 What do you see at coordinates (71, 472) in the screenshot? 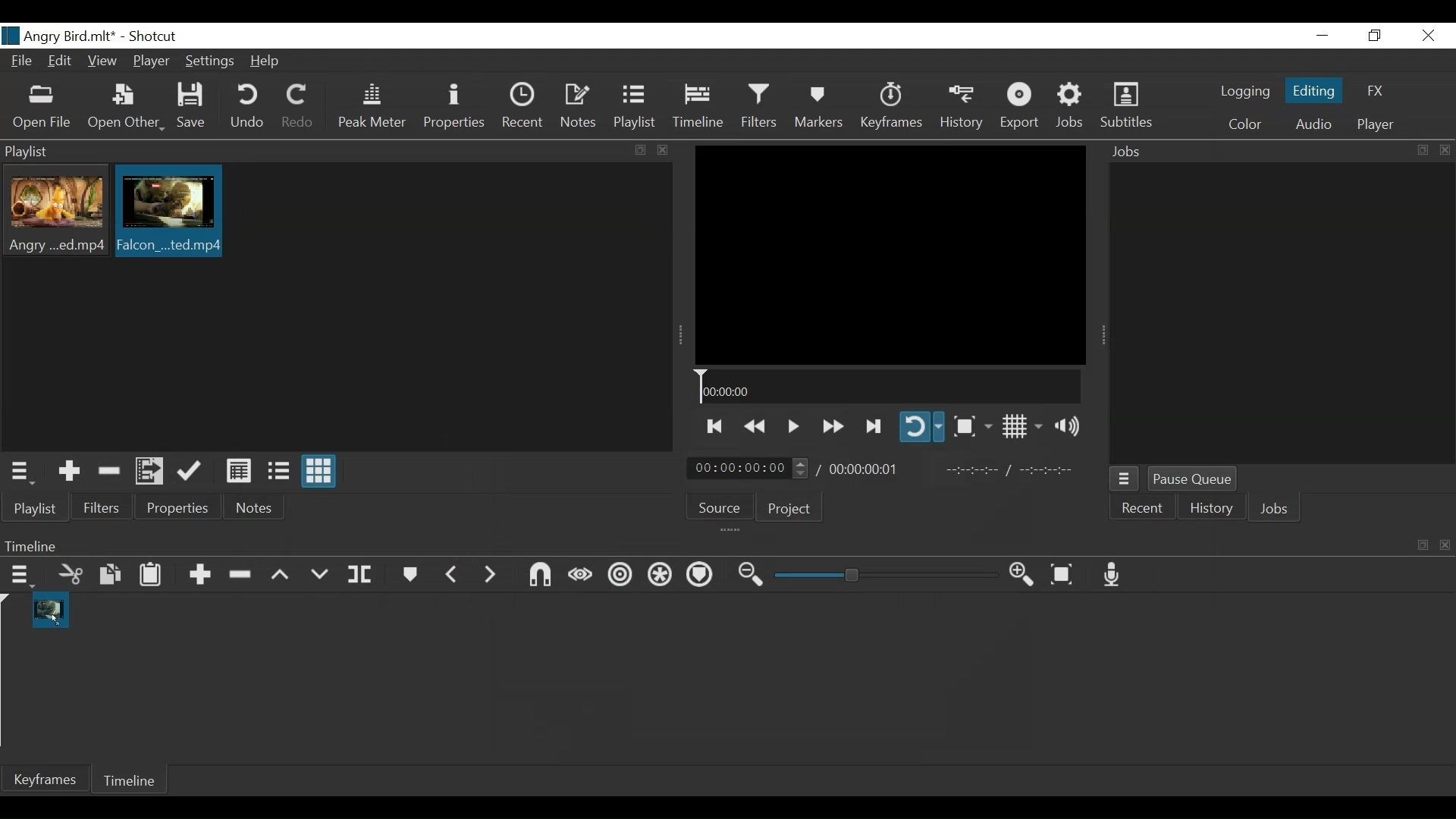
I see `Add the source to the playlist` at bounding box center [71, 472].